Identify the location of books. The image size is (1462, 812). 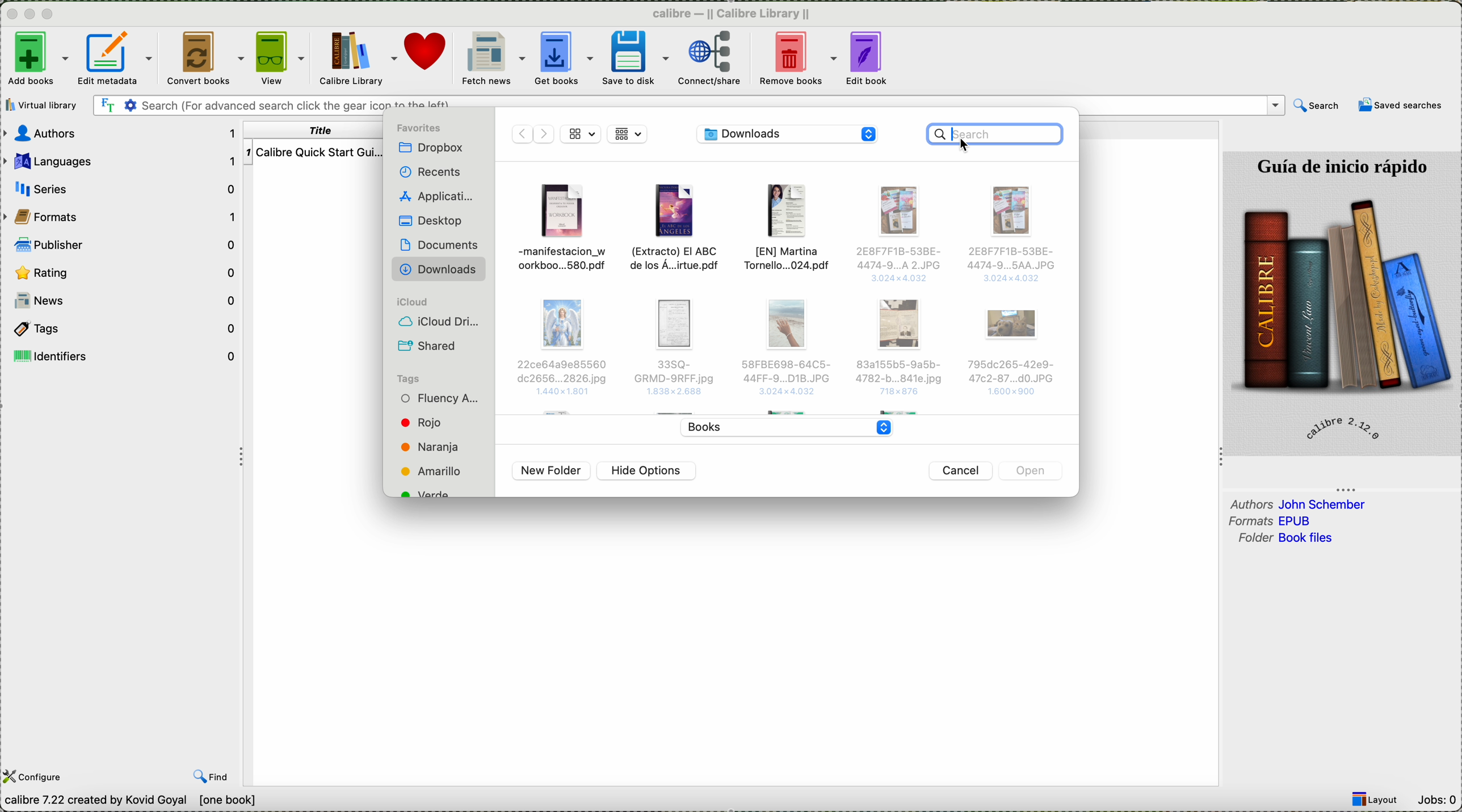
(782, 426).